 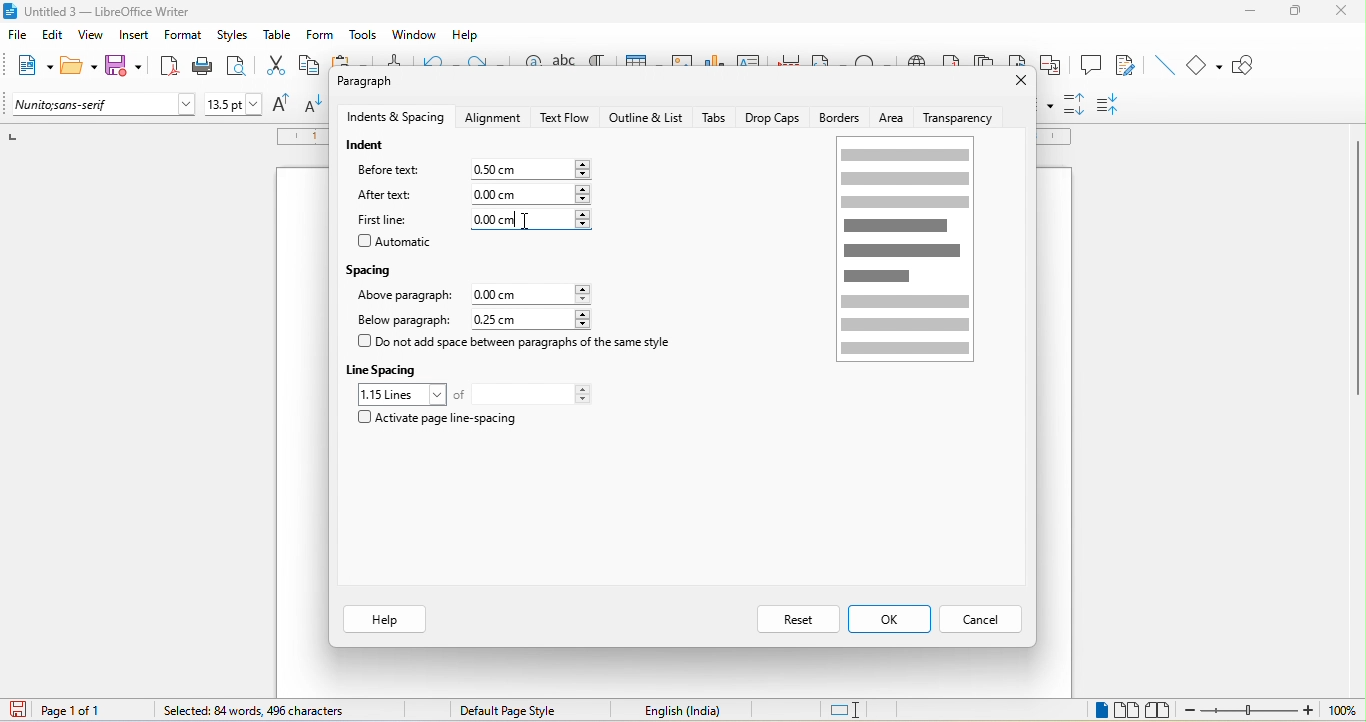 What do you see at coordinates (583, 169) in the screenshot?
I see `increase or decrease` at bounding box center [583, 169].